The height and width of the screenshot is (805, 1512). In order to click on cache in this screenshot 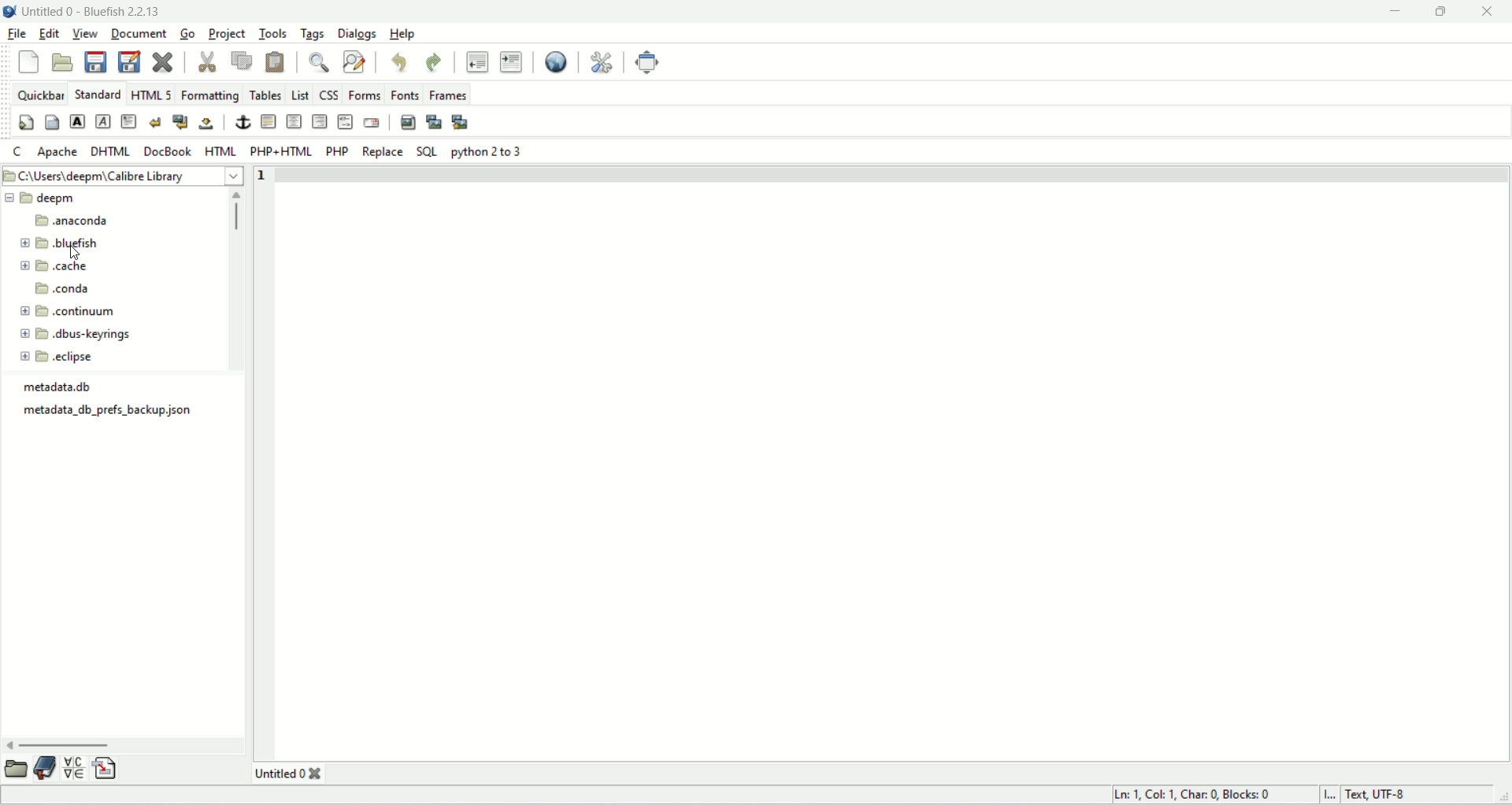, I will do `click(54, 265)`.